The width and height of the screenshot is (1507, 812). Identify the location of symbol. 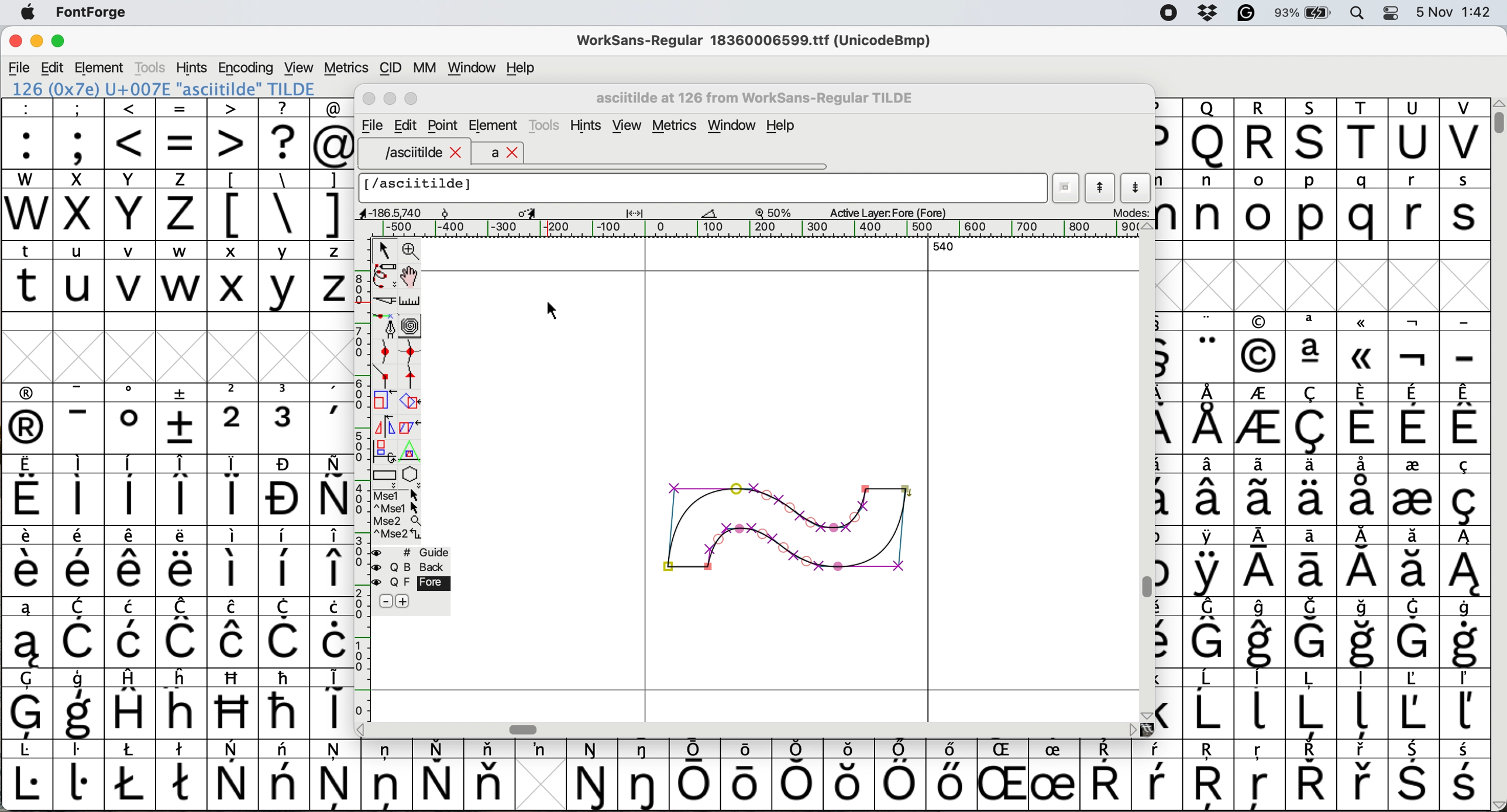
(130, 418).